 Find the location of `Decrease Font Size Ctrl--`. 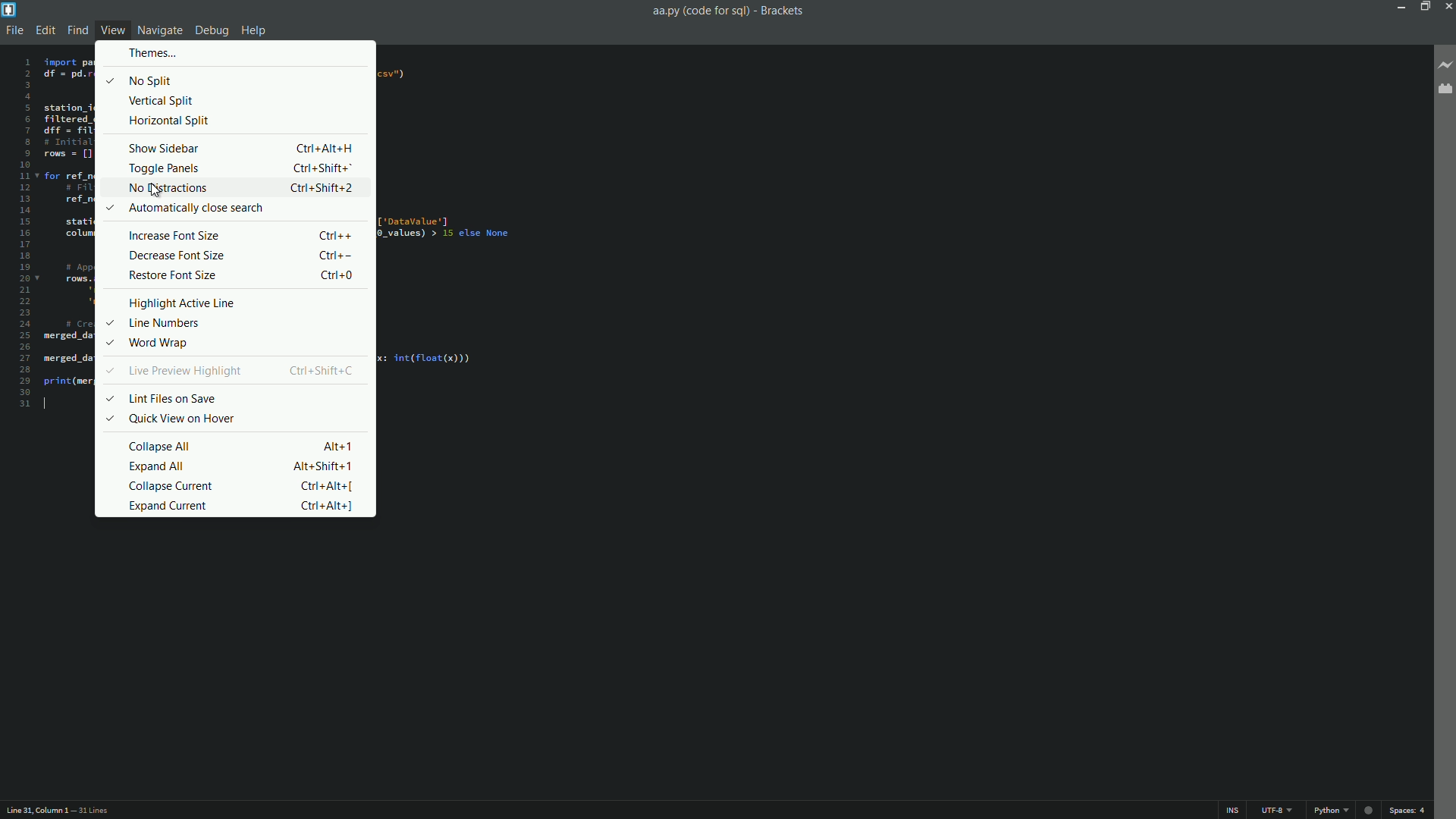

Decrease Font Size Ctrl-- is located at coordinates (241, 256).